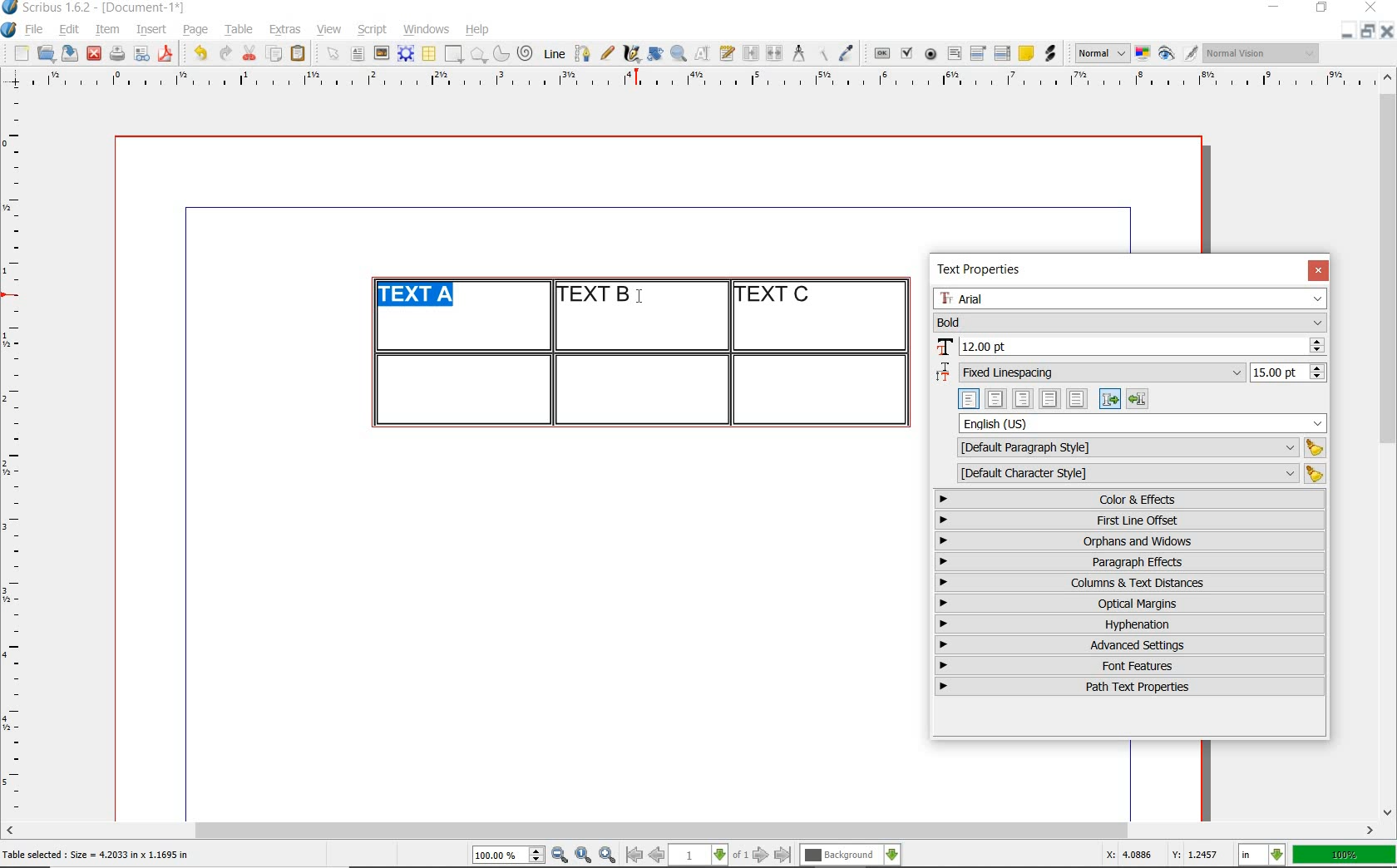 The height and width of the screenshot is (868, 1397). Describe the element at coordinates (501, 53) in the screenshot. I see `arc` at that location.